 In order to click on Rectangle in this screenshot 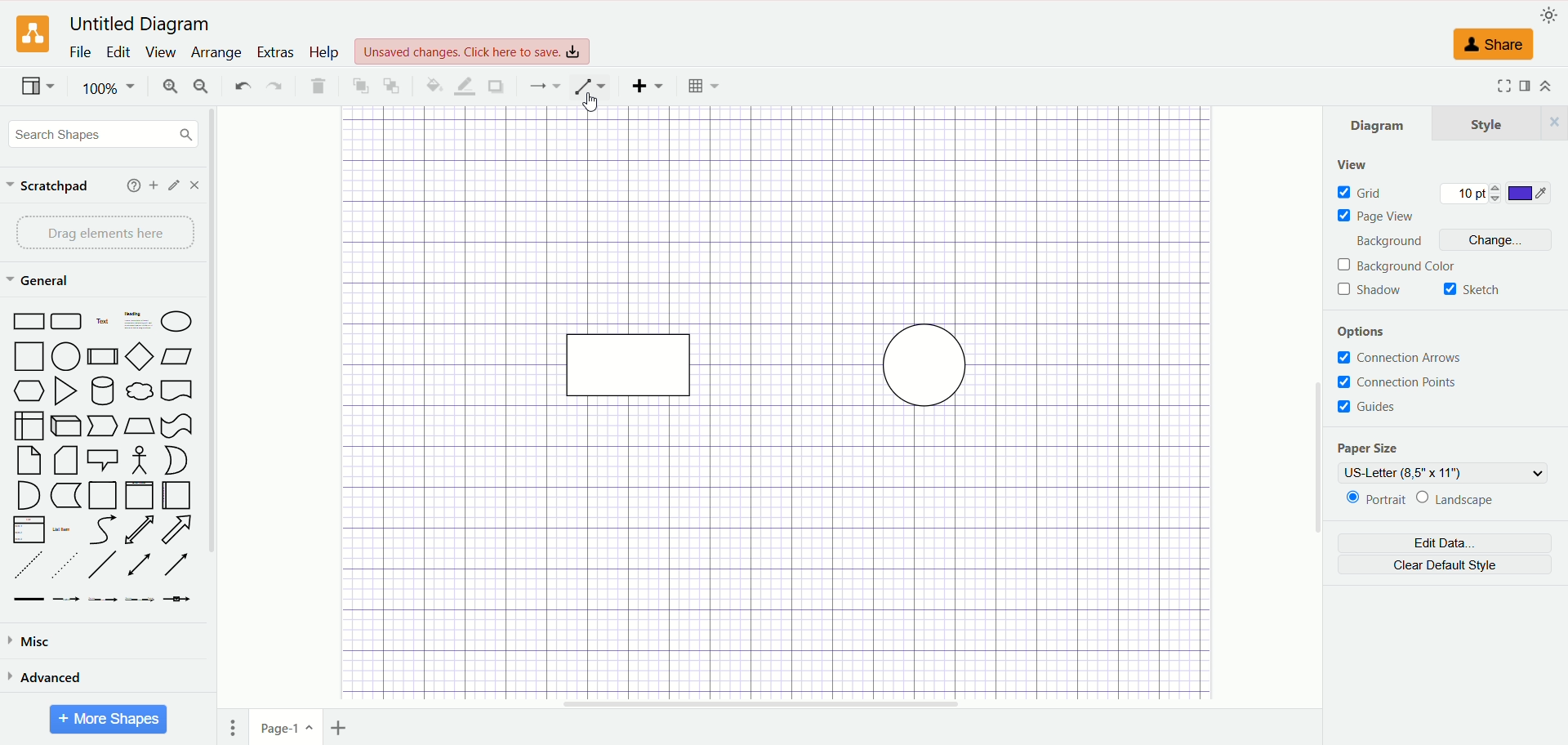, I will do `click(30, 321)`.